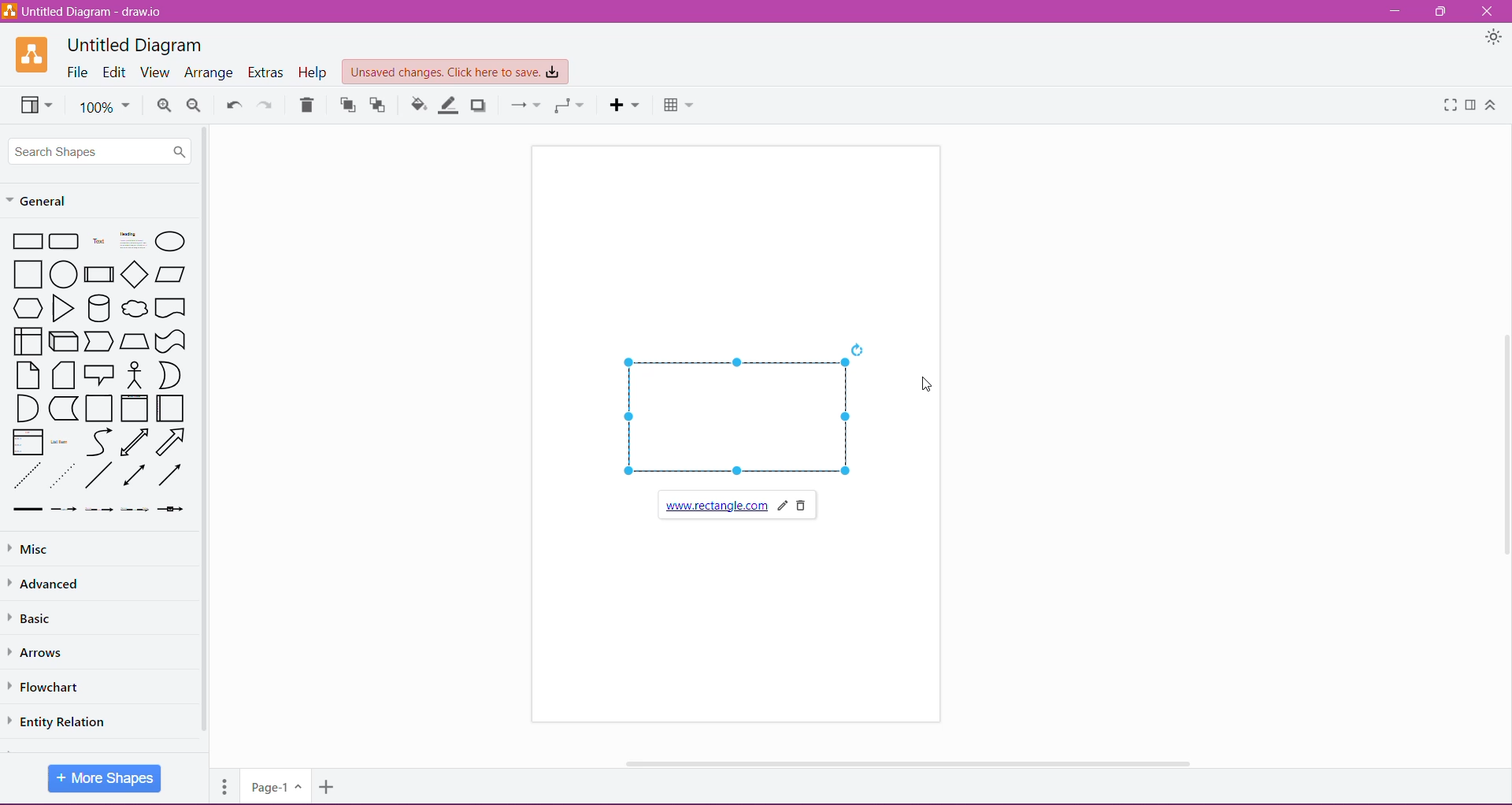  Describe the element at coordinates (479, 106) in the screenshot. I see `Shadow` at that location.